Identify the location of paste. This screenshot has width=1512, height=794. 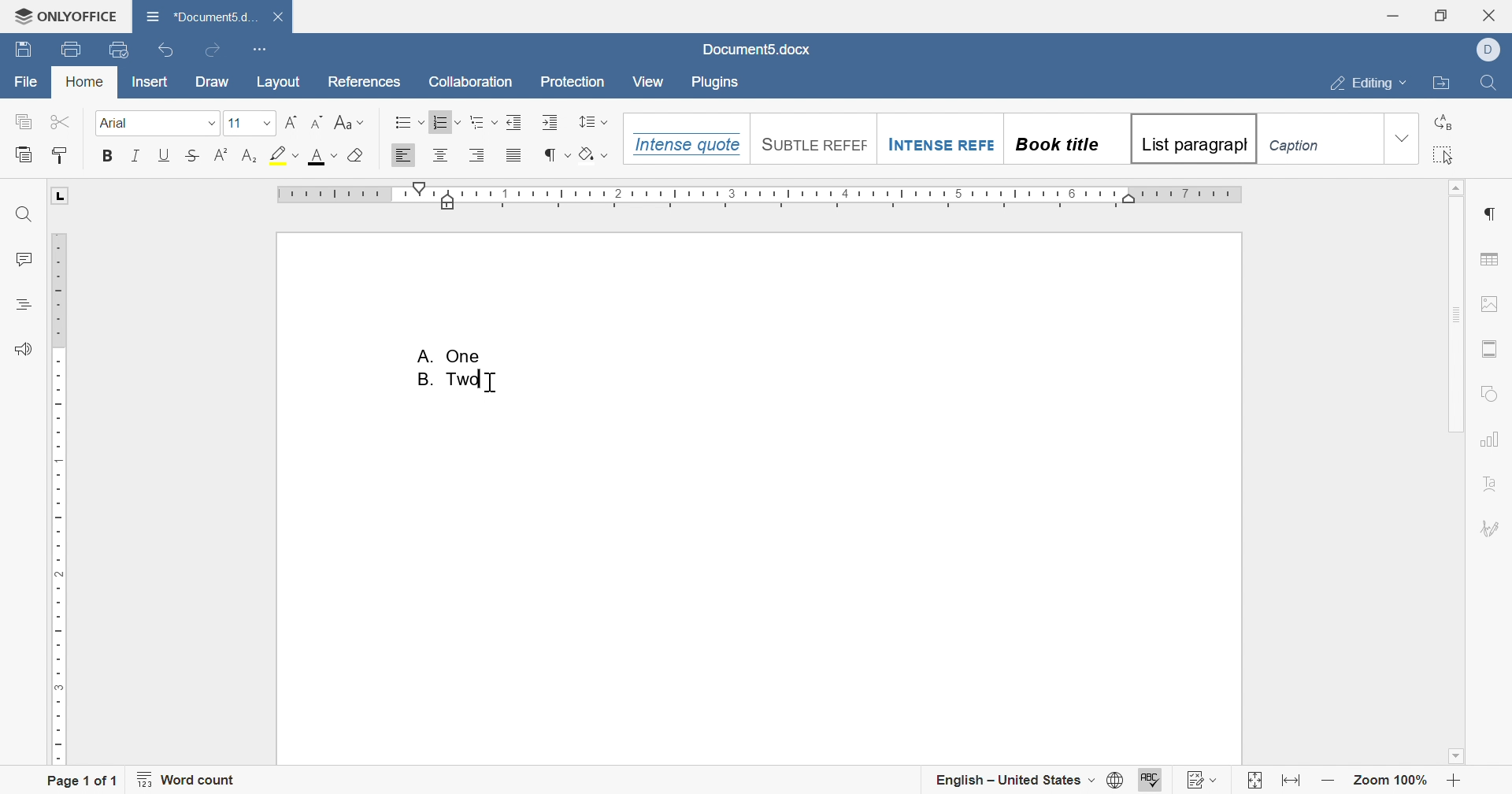
(23, 153).